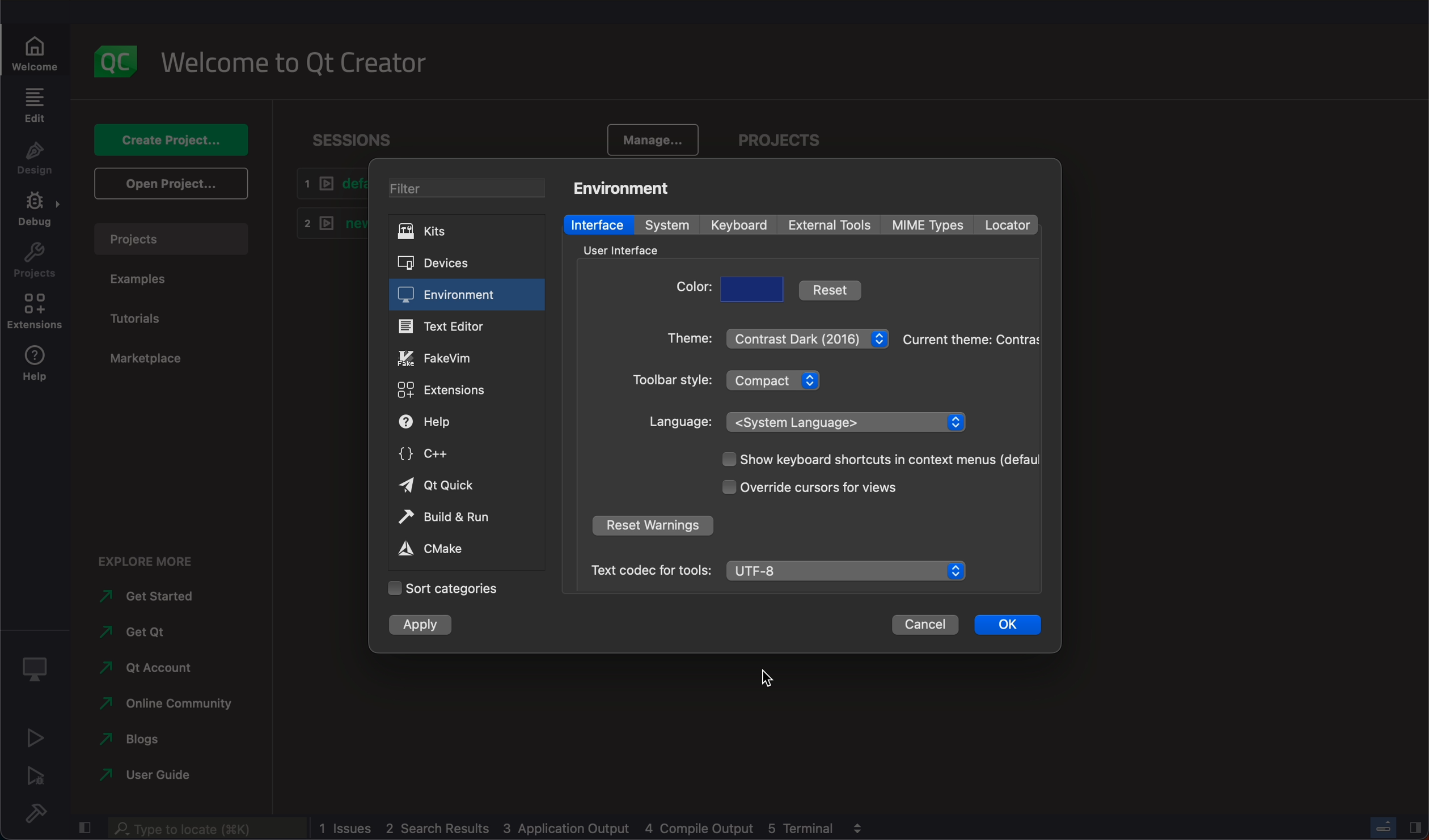 This screenshot has height=840, width=1429. I want to click on locator, so click(1006, 225).